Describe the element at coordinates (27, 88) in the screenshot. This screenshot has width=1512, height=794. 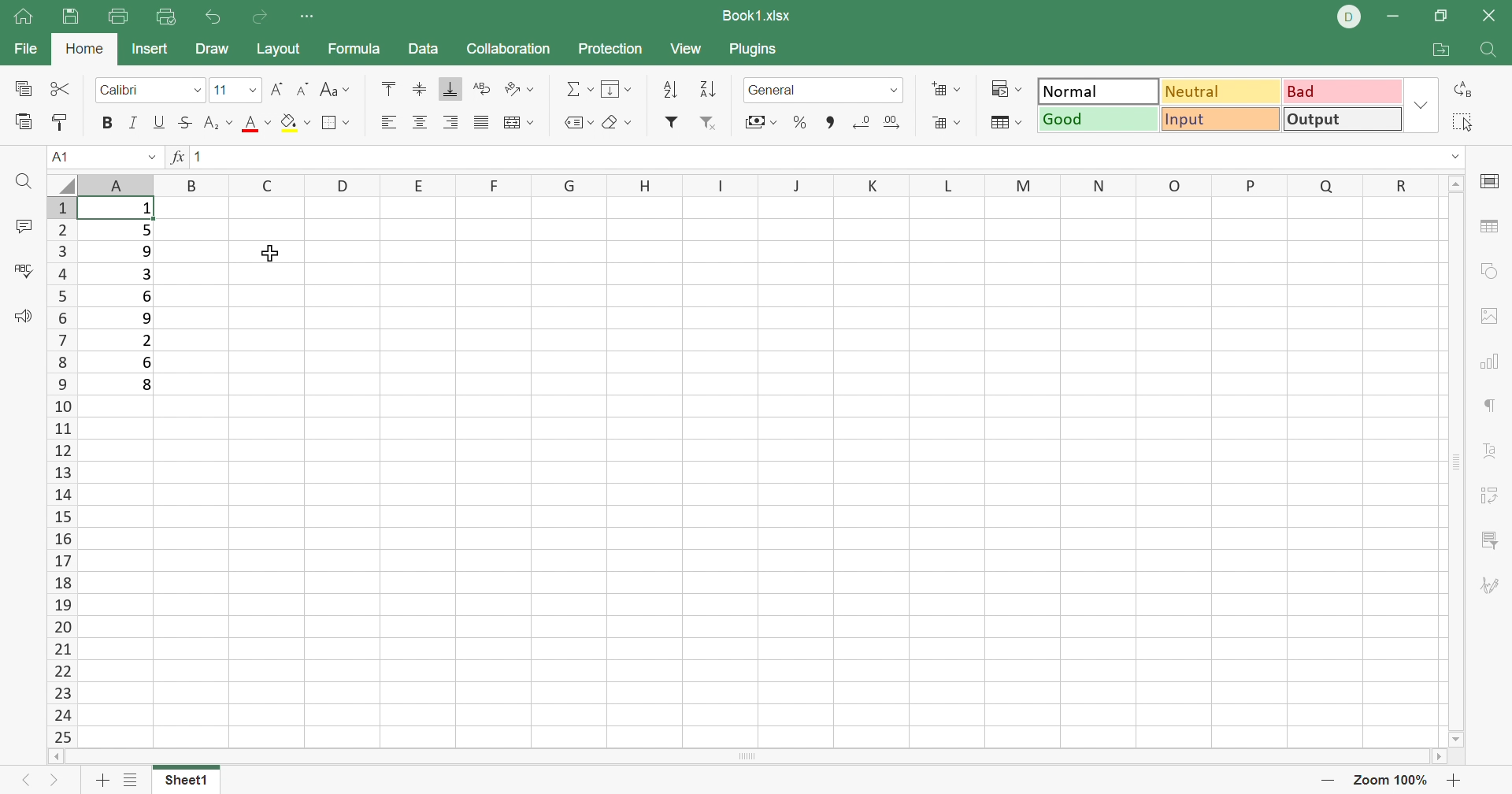
I see `Copy` at that location.